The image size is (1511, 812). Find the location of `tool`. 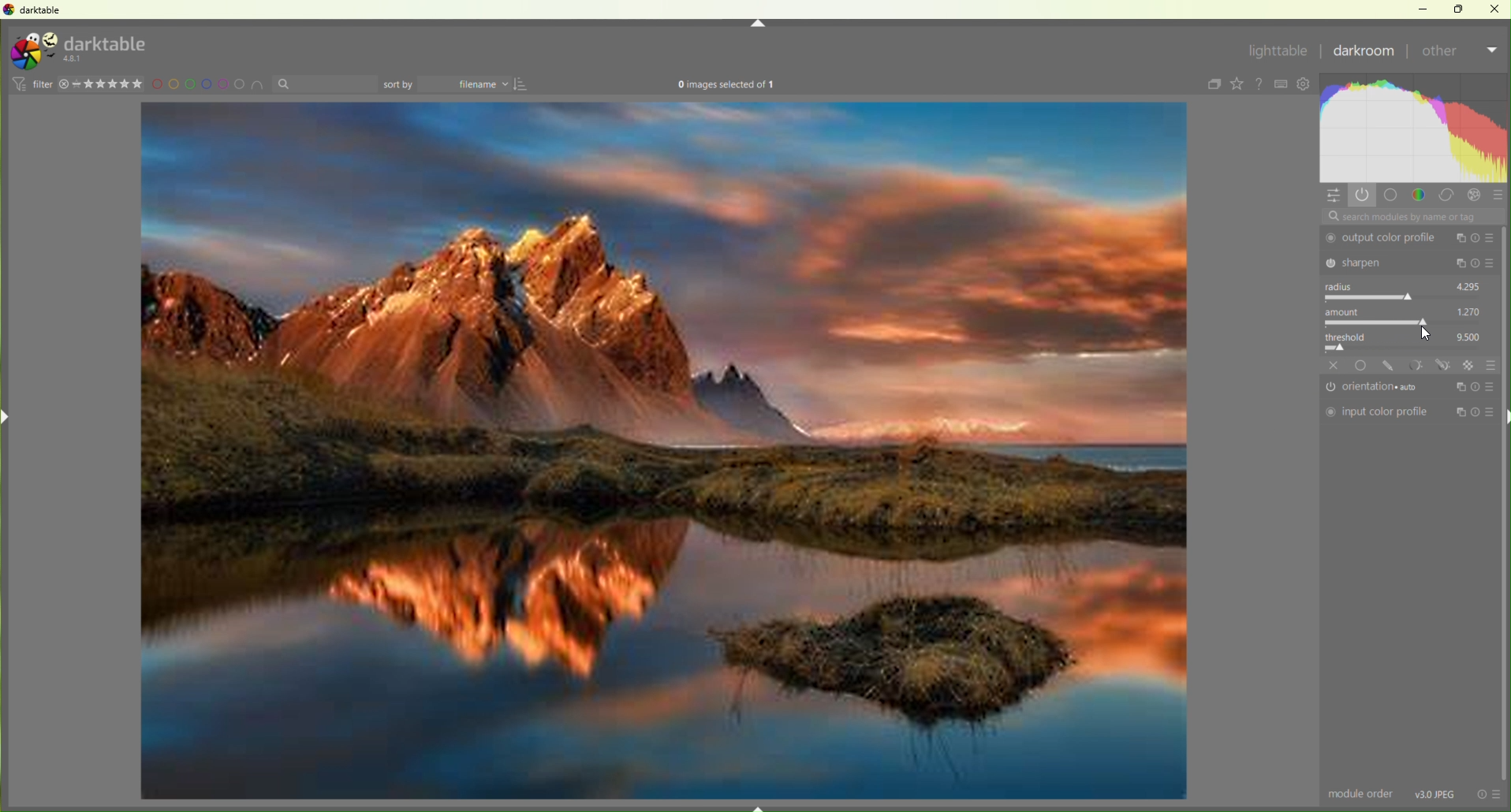

tool is located at coordinates (1416, 364).